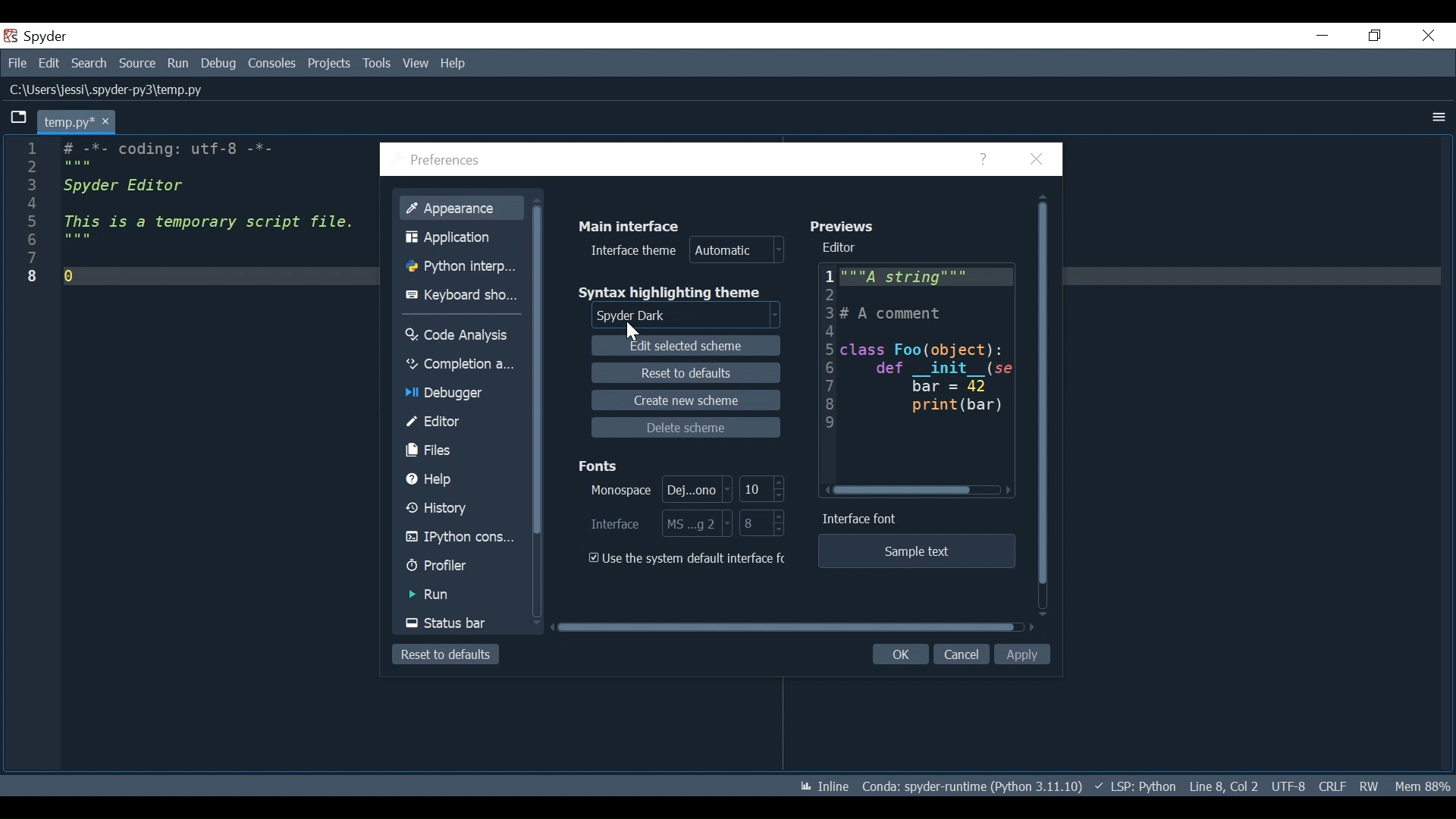 The image size is (1456, 819). Describe the element at coordinates (902, 490) in the screenshot. I see `Horizontal Scroll bar` at that location.